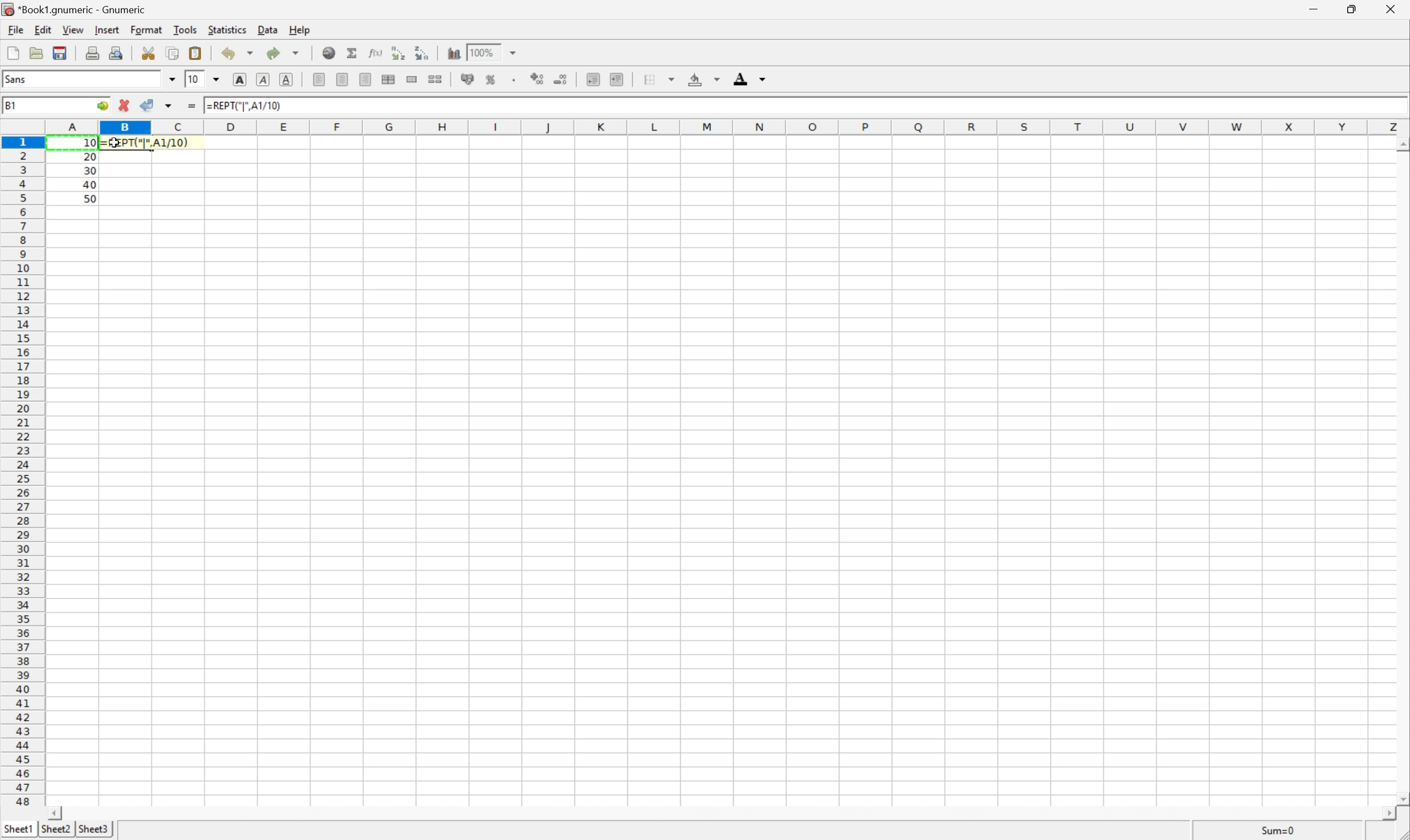 The height and width of the screenshot is (840, 1410). What do you see at coordinates (378, 52) in the screenshot?
I see `Edit a function in current cell` at bounding box center [378, 52].